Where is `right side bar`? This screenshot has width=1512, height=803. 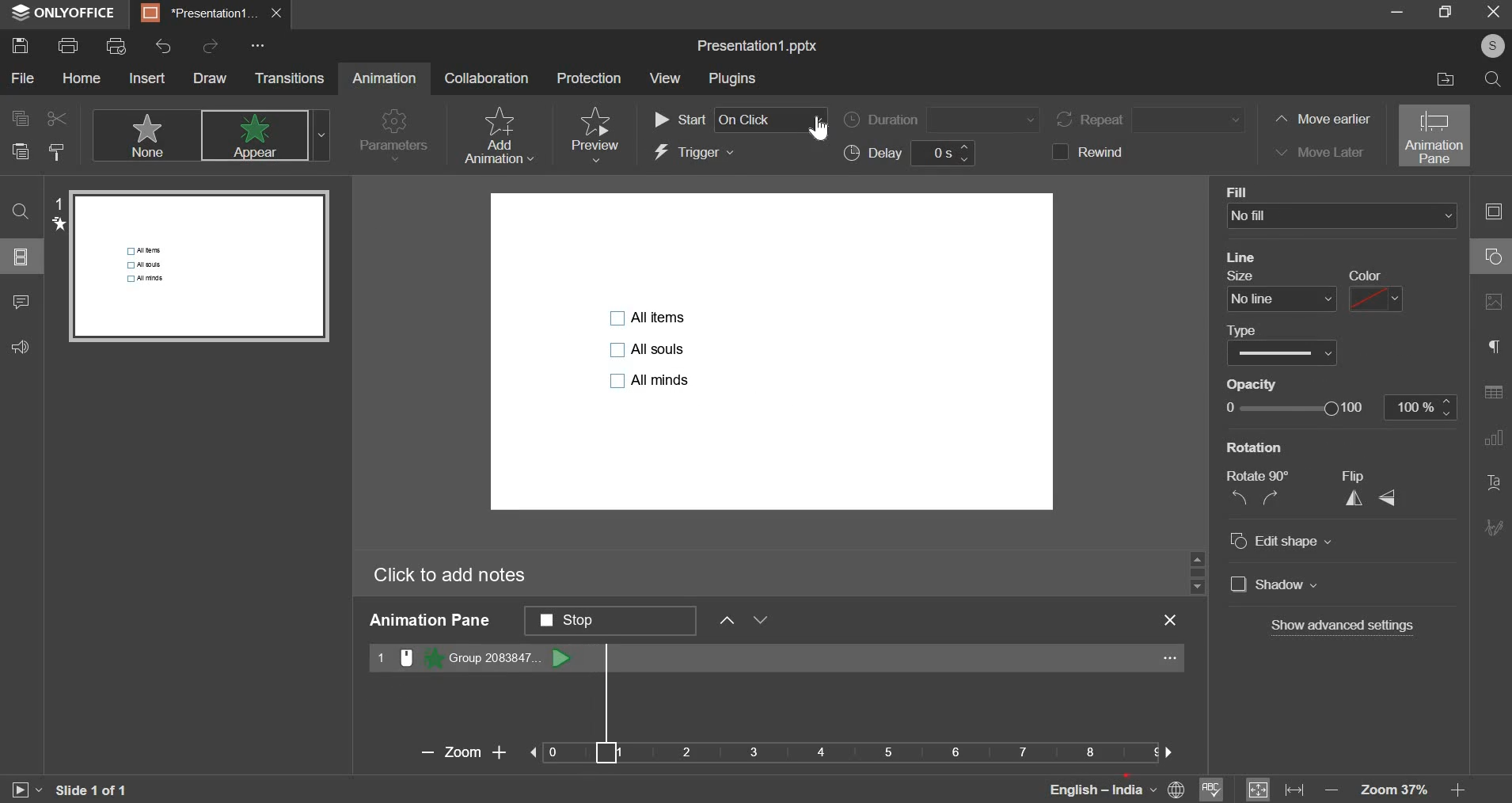 right side bar is located at coordinates (1493, 370).